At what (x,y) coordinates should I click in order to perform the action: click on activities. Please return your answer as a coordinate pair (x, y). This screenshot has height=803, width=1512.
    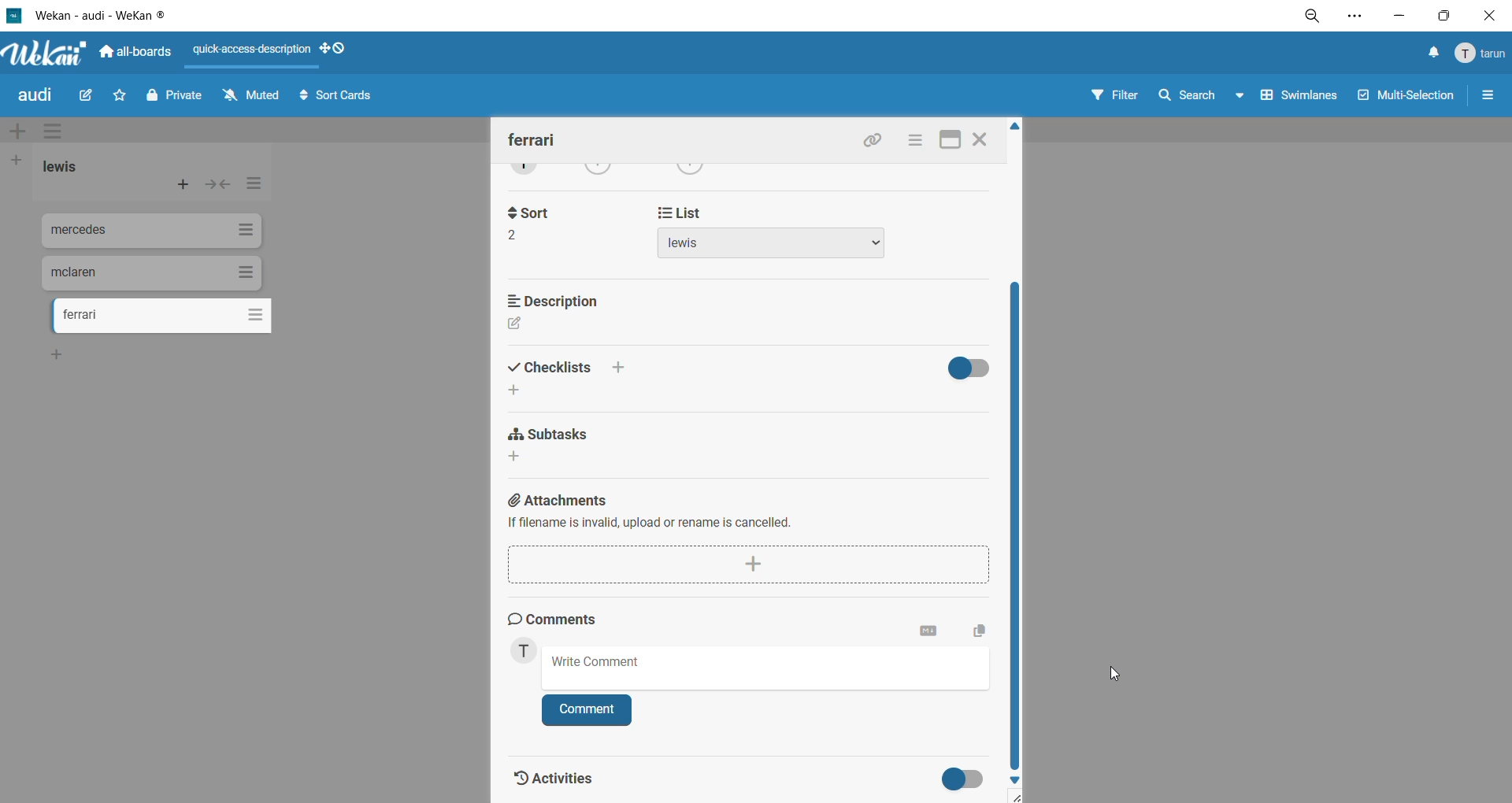
    Looking at the image, I should click on (556, 775).